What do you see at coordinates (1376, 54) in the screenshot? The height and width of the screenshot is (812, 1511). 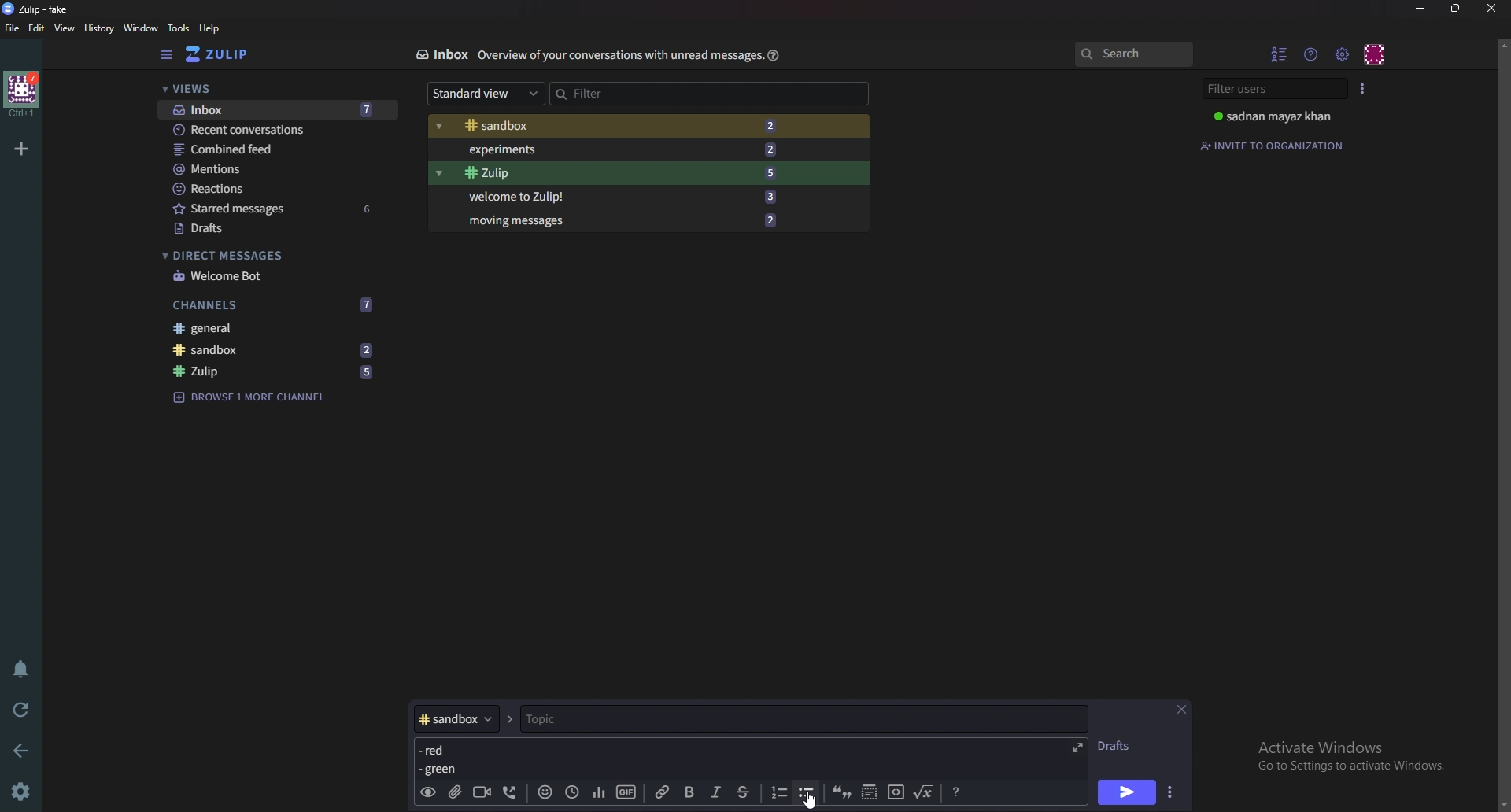 I see `personal menu` at bounding box center [1376, 54].